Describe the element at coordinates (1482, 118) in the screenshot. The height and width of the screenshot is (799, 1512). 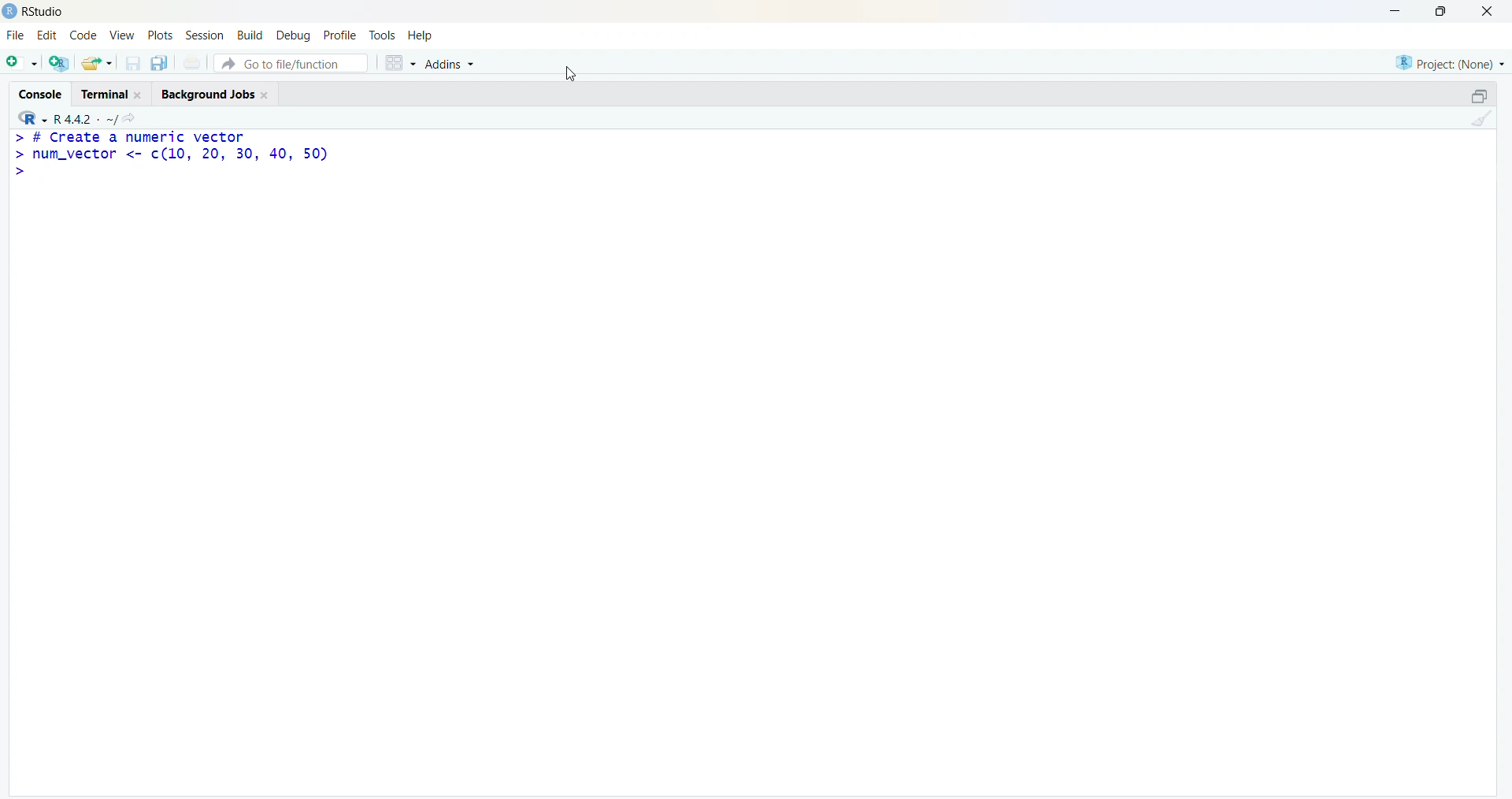
I see `clean` at that location.